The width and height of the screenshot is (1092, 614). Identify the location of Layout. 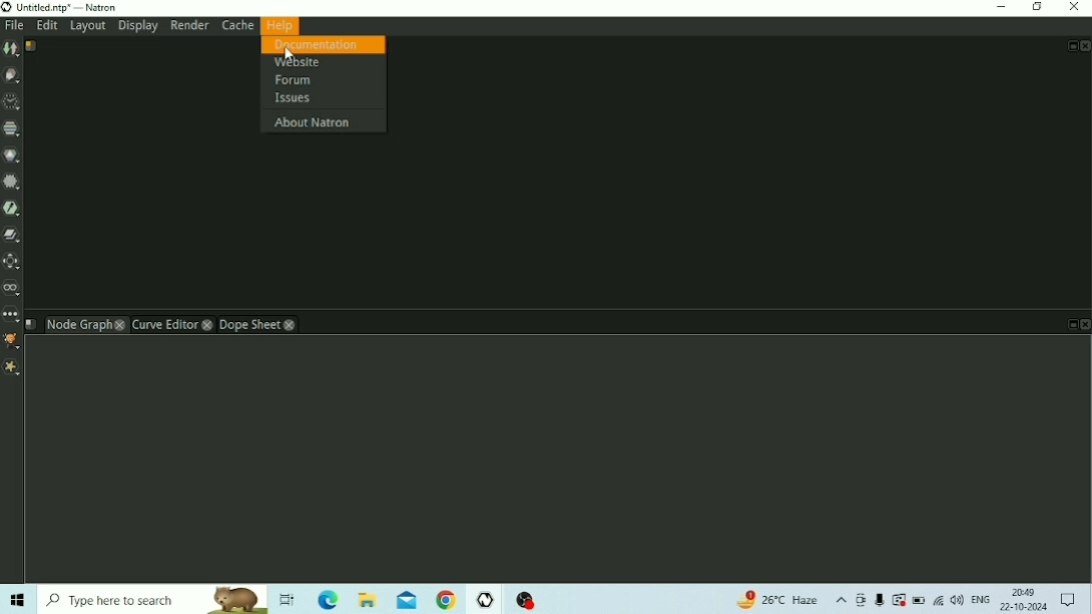
(87, 27).